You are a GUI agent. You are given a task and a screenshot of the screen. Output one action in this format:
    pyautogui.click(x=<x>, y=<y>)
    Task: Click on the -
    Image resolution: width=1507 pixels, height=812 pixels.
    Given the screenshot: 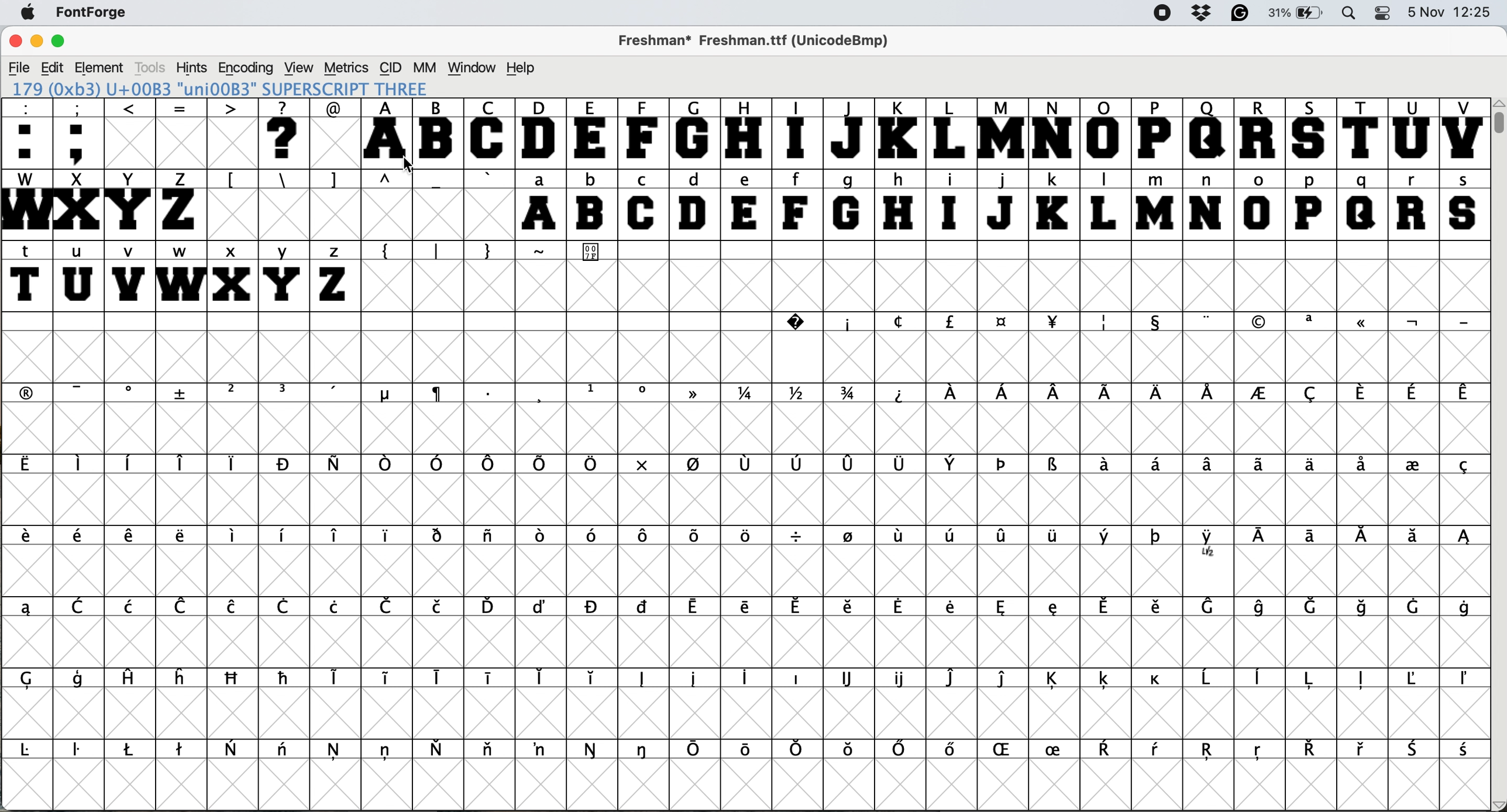 What is the action you would take?
    pyautogui.click(x=438, y=181)
    